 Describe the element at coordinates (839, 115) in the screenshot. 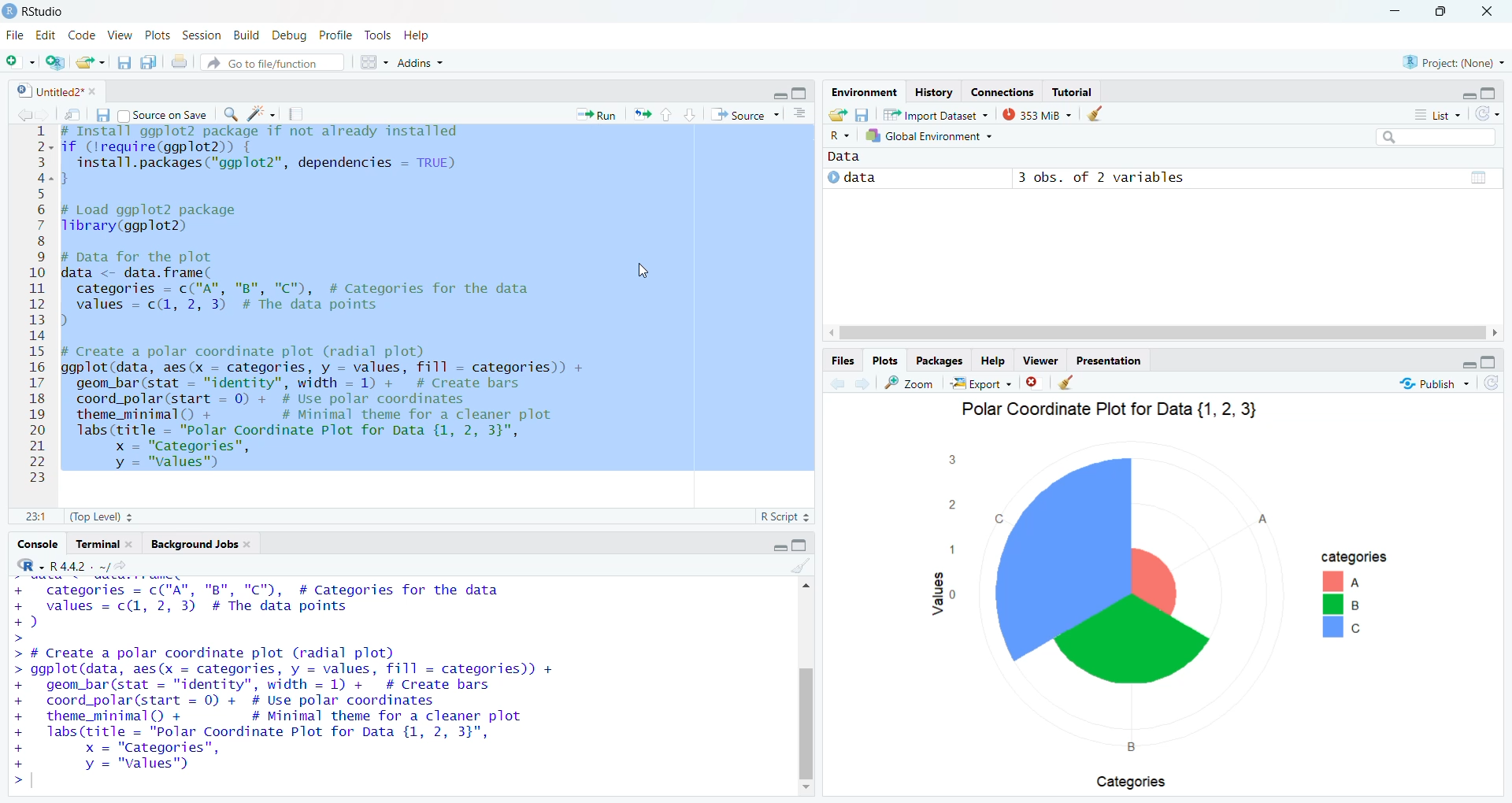

I see `load workspace` at that location.